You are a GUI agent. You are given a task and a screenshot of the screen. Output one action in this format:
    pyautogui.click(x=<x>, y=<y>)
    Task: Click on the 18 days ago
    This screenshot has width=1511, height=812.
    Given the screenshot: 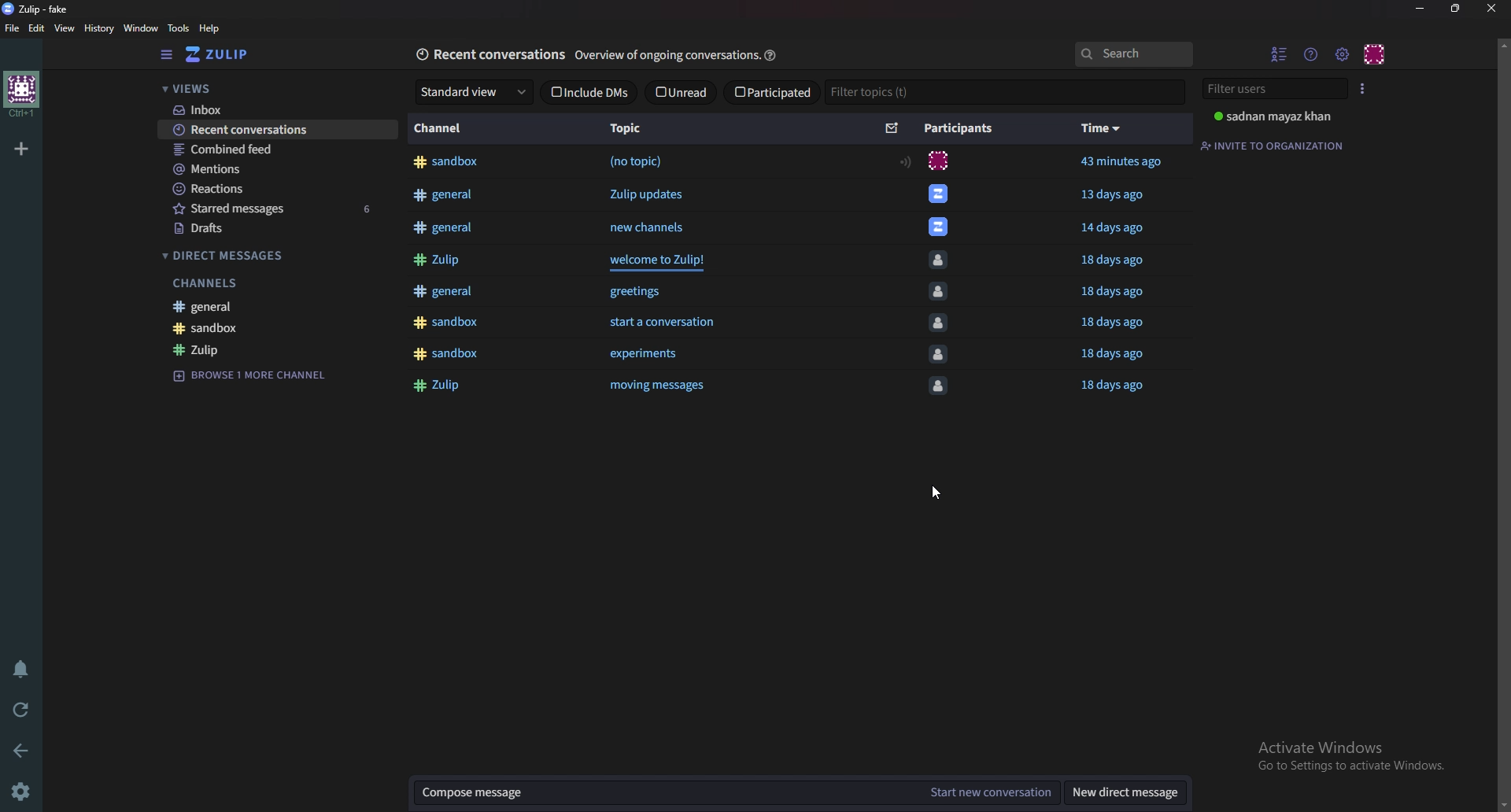 What is the action you would take?
    pyautogui.click(x=1117, y=392)
    